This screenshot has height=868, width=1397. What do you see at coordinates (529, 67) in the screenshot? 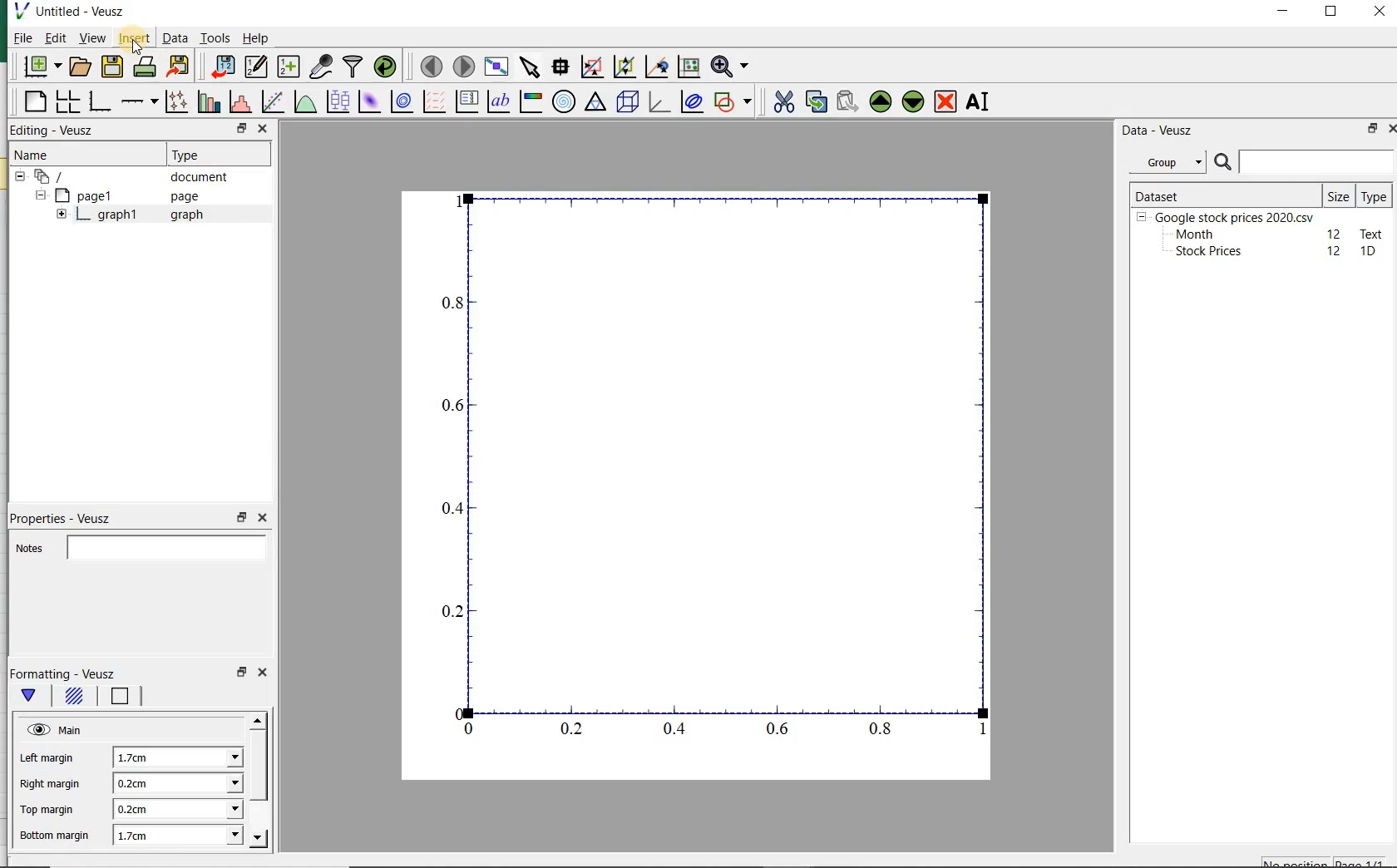
I see `select items from the graph or scroll` at bounding box center [529, 67].